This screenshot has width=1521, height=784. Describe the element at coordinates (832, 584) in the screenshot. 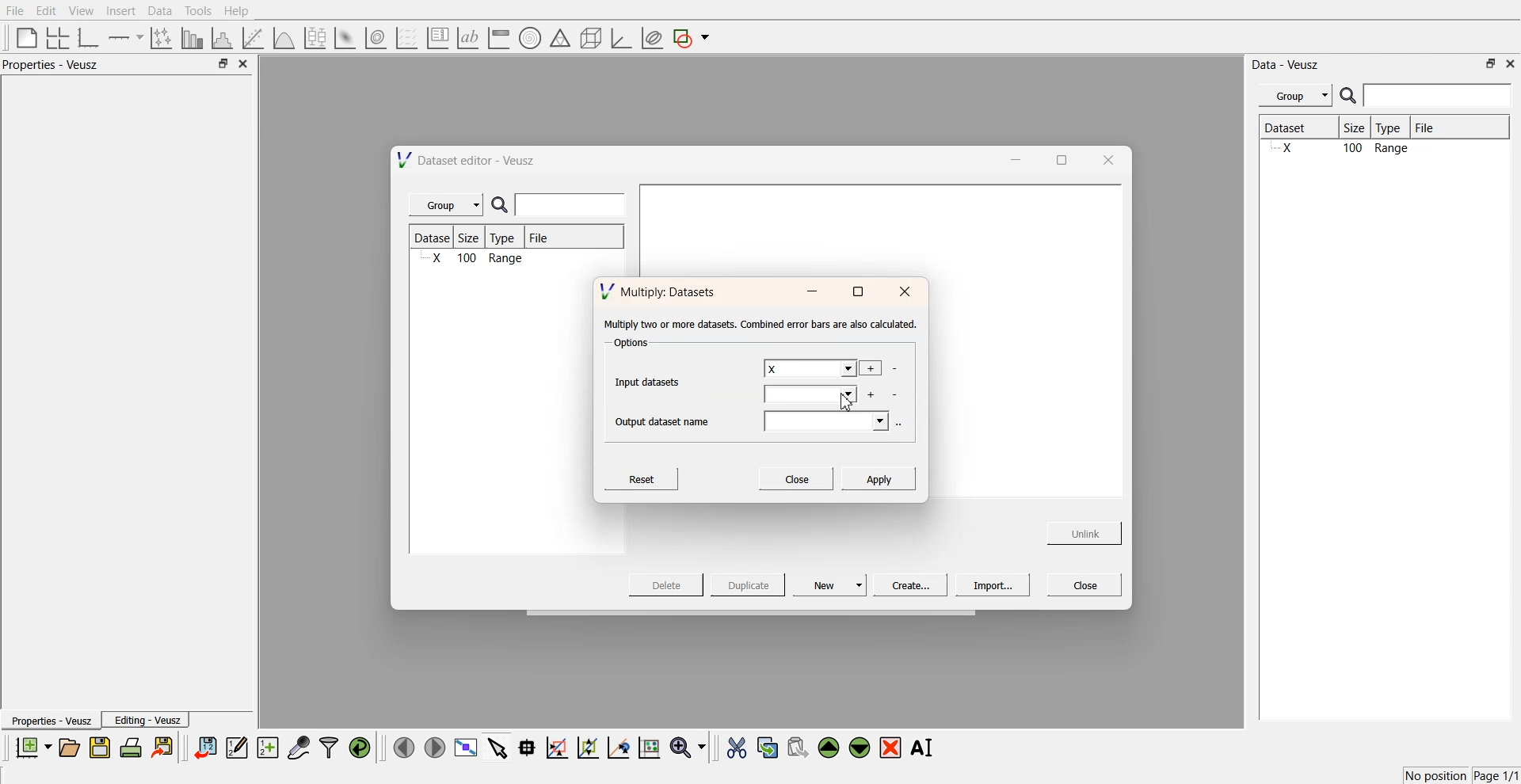

I see `New` at that location.